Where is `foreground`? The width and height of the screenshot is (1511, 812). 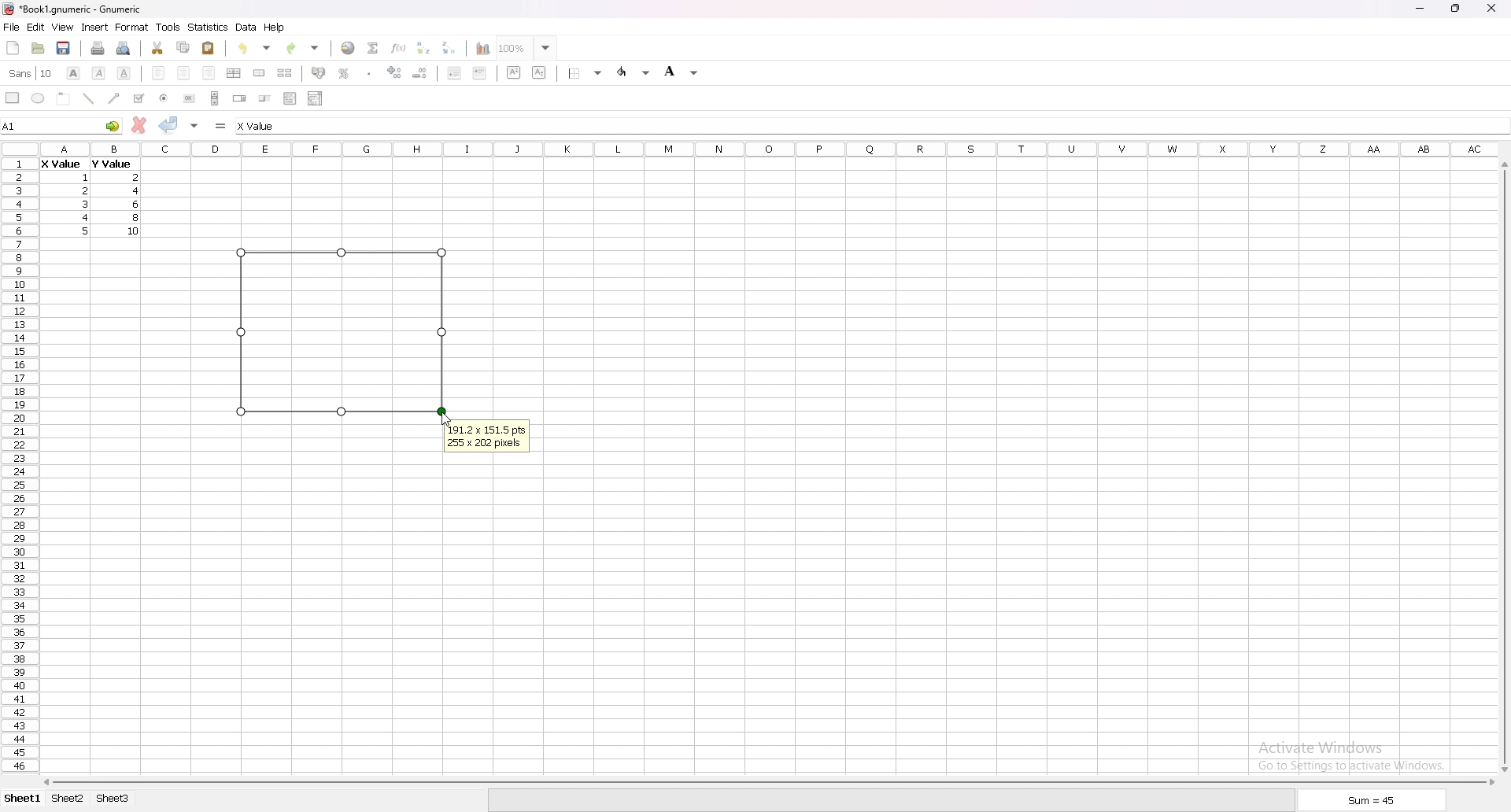
foreground is located at coordinates (635, 72).